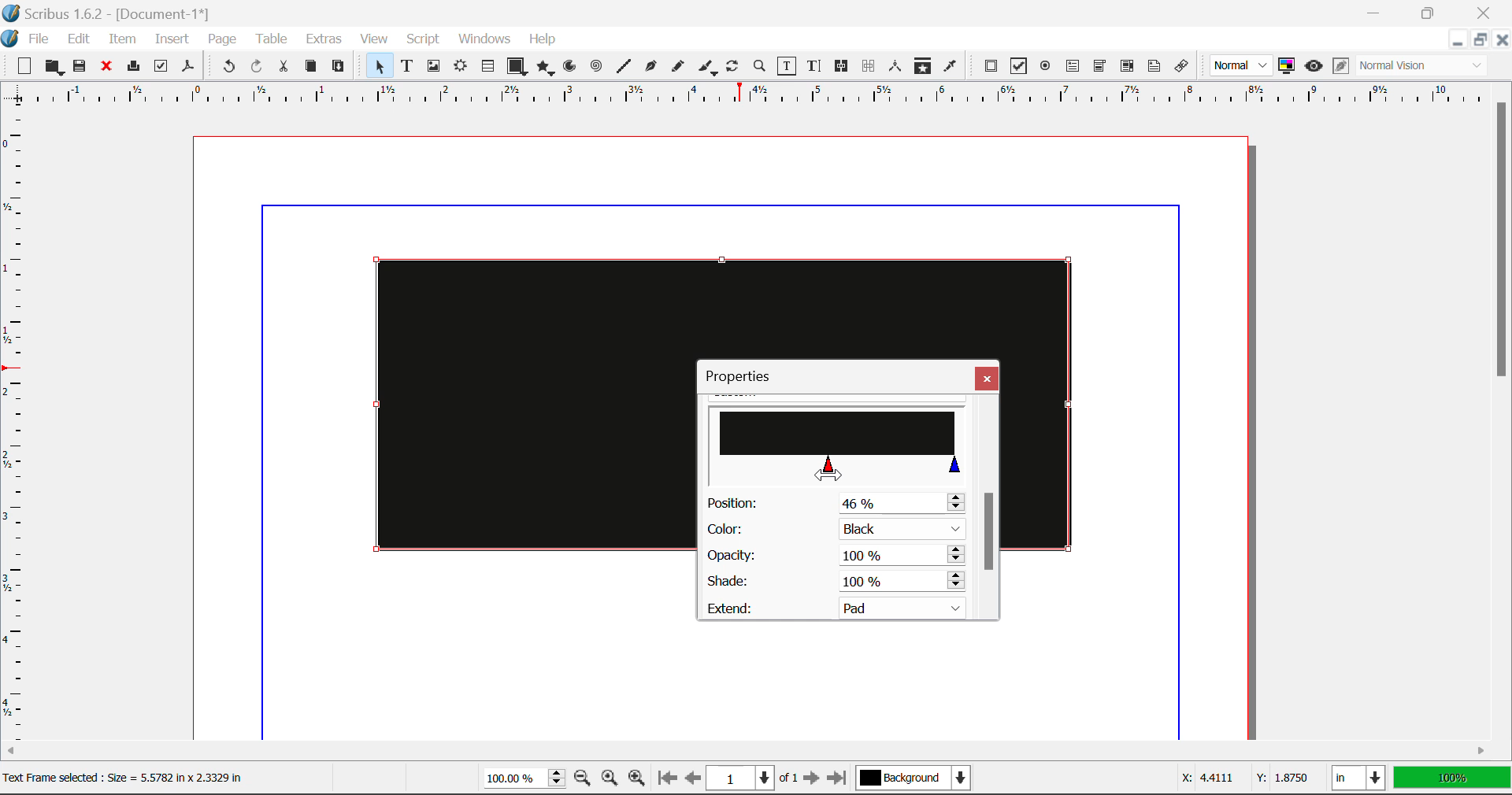 The image size is (1512, 795). Describe the element at coordinates (483, 39) in the screenshot. I see `Windows` at that location.